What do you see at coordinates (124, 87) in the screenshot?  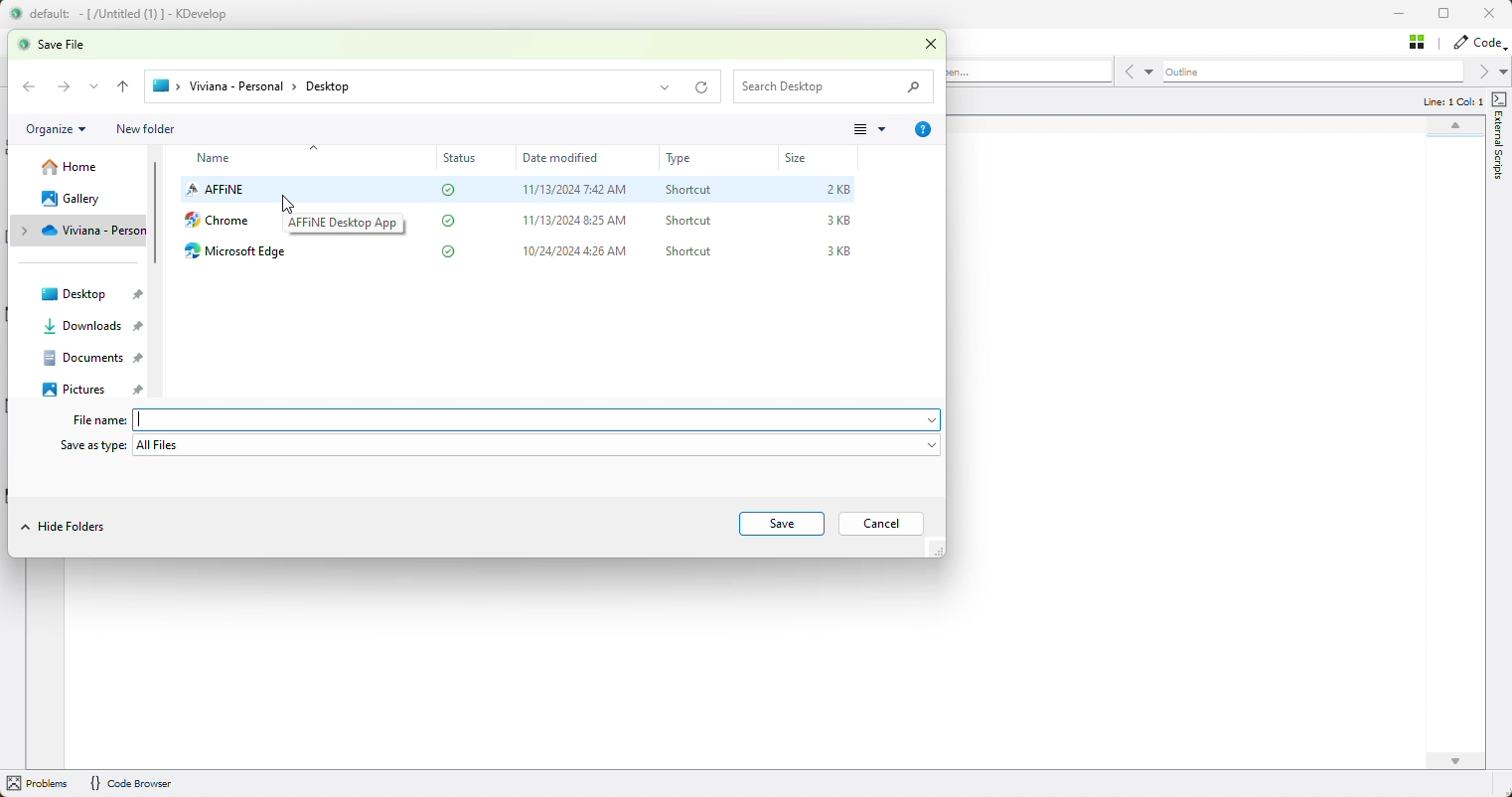 I see `back` at bounding box center [124, 87].